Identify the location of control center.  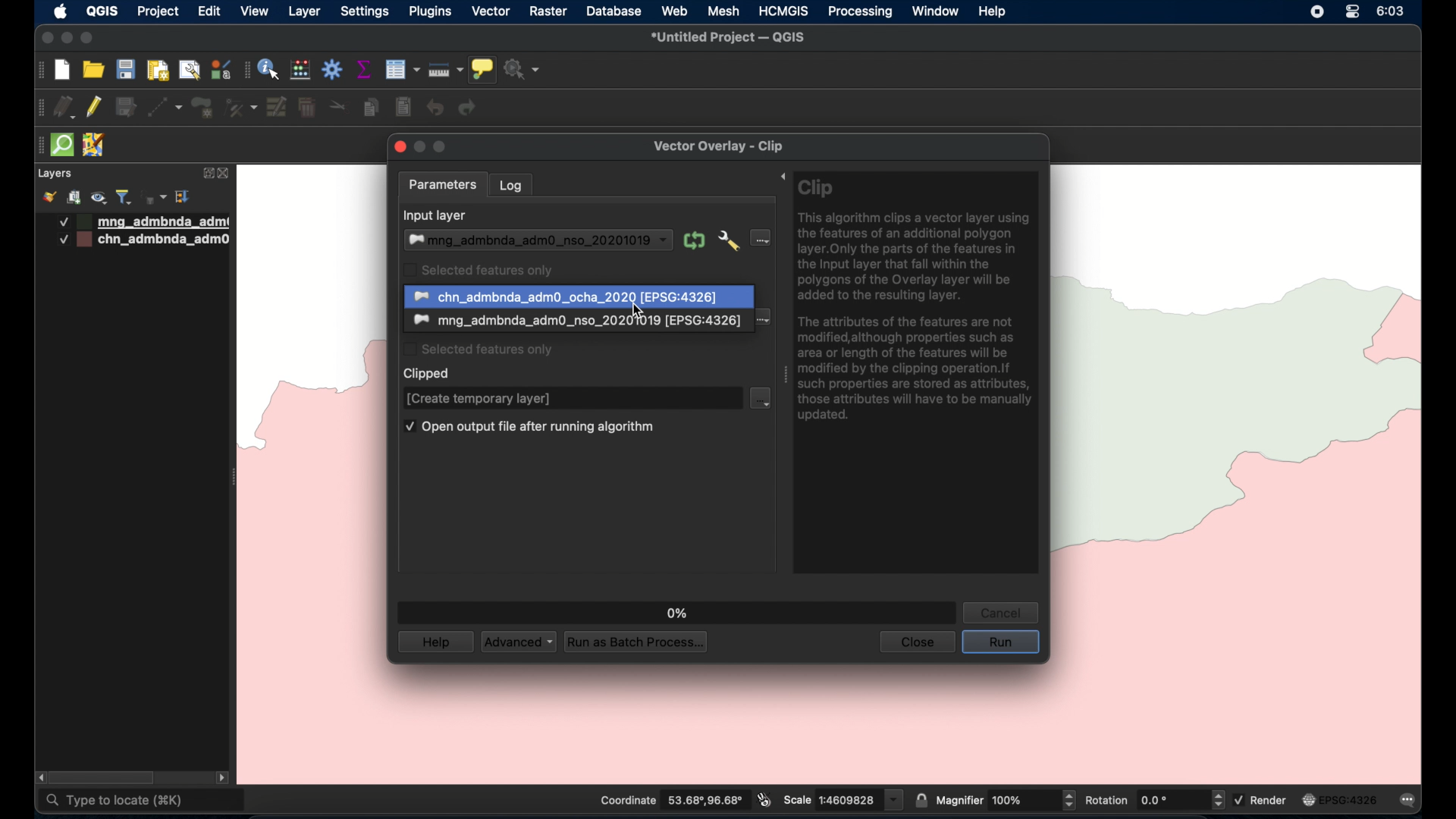
(1352, 11).